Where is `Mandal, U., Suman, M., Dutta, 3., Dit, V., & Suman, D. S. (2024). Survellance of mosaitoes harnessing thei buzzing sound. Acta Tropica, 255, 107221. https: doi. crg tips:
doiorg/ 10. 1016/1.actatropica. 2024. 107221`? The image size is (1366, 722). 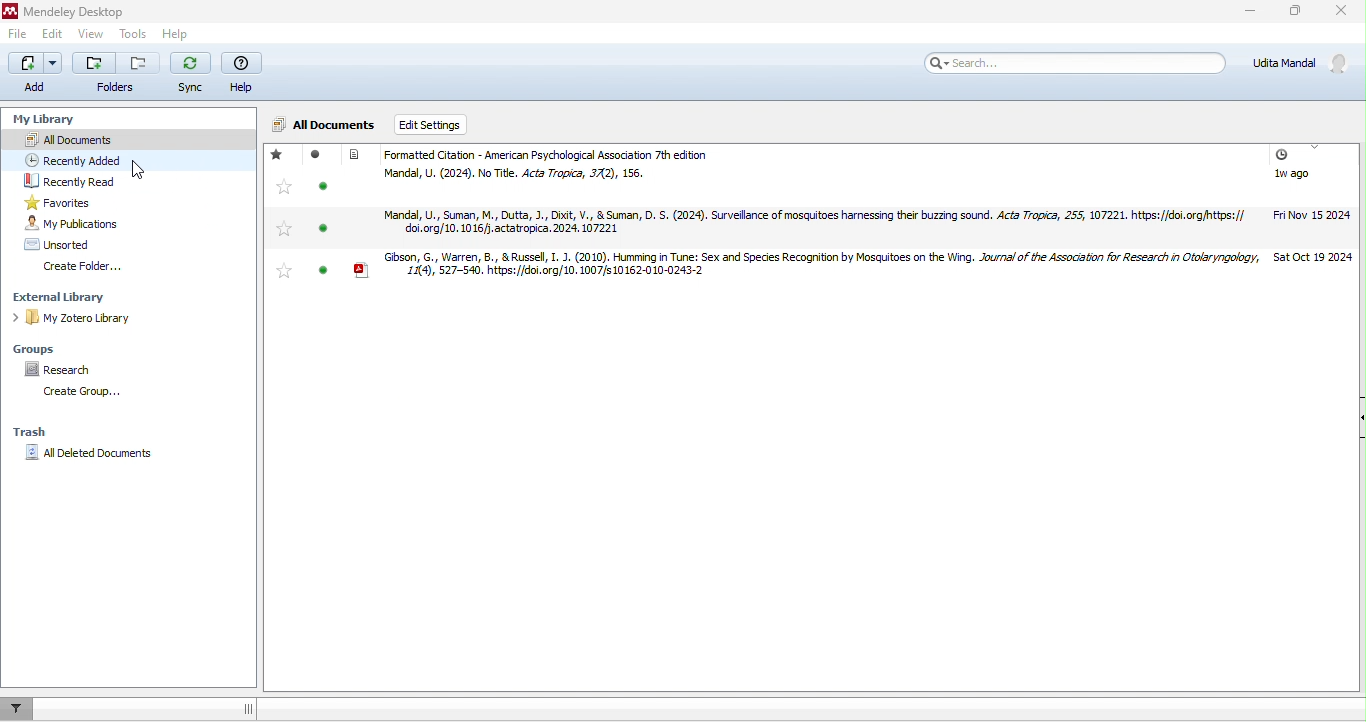 Mandal, U., Suman, M., Dutta, 3., Dit, V., & Suman, D. S. (2024). Survellance of mosaitoes harnessing thei buzzing sound. Acta Tropica, 255, 107221. https: doi. crg tips:
doiorg/ 10. 1016/1.actatropica. 2024. 107221 is located at coordinates (810, 223).